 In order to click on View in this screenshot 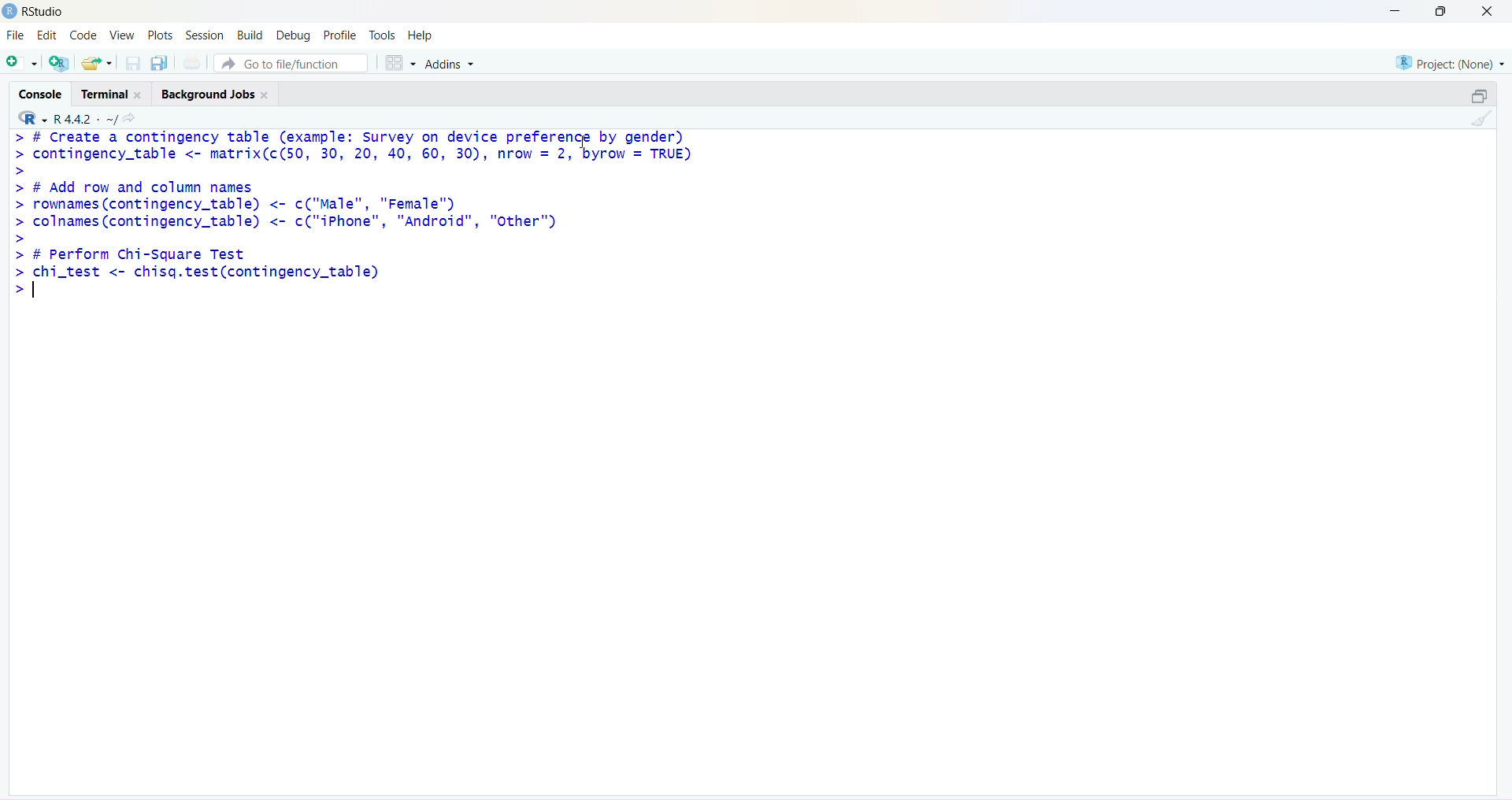, I will do `click(123, 35)`.